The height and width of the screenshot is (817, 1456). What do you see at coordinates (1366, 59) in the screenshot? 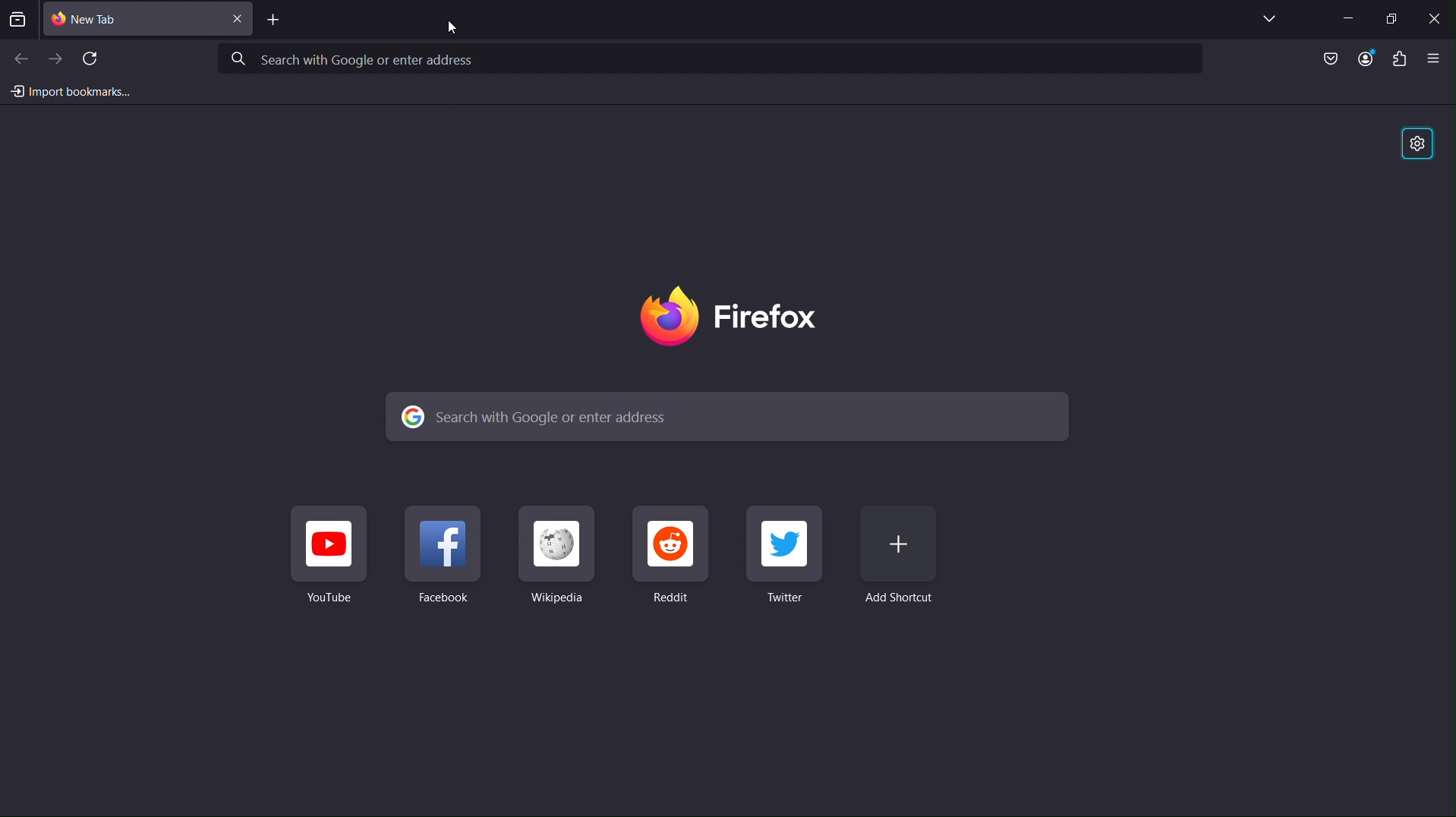
I see `Account` at bounding box center [1366, 59].